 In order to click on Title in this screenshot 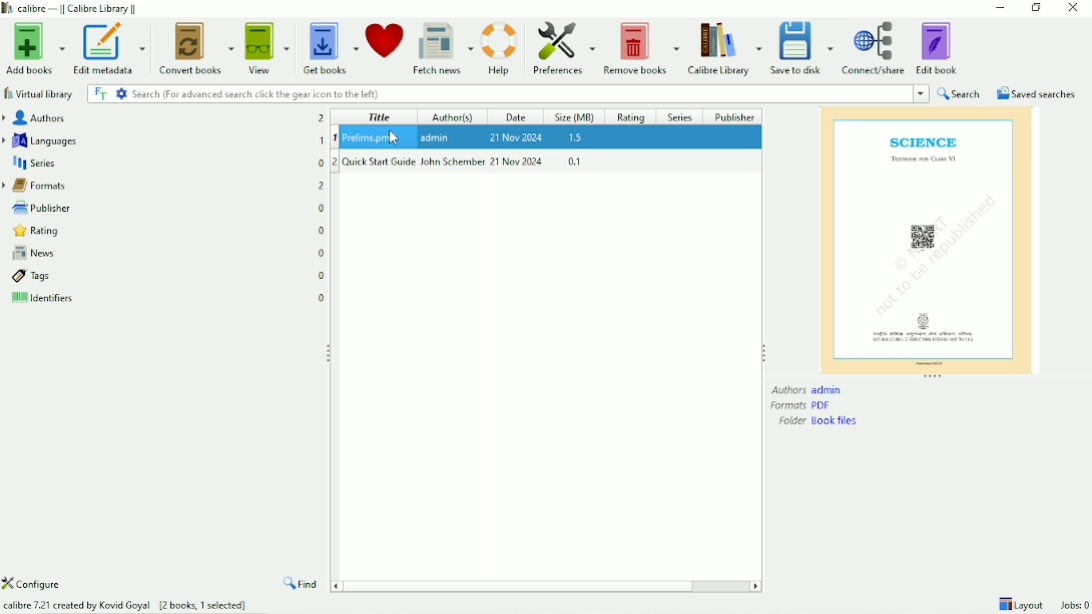, I will do `click(379, 117)`.